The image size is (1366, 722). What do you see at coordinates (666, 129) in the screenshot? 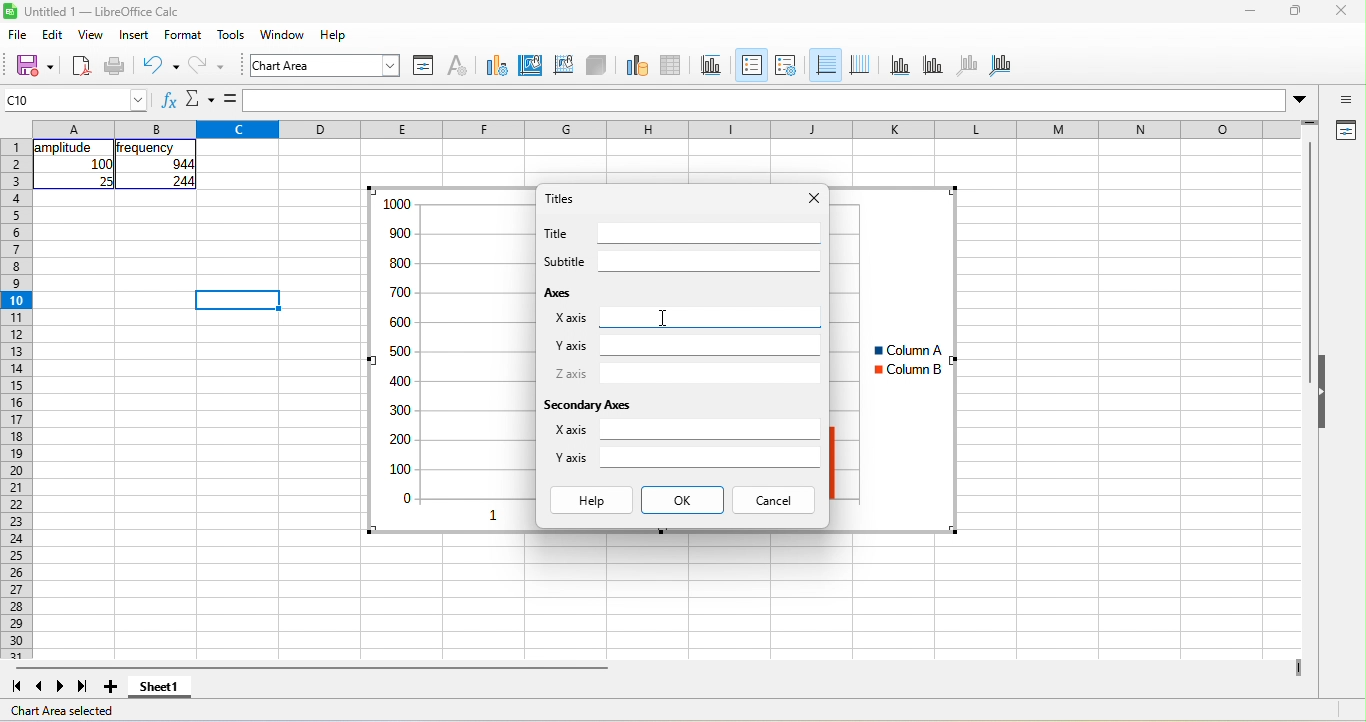
I see `column headings` at bounding box center [666, 129].